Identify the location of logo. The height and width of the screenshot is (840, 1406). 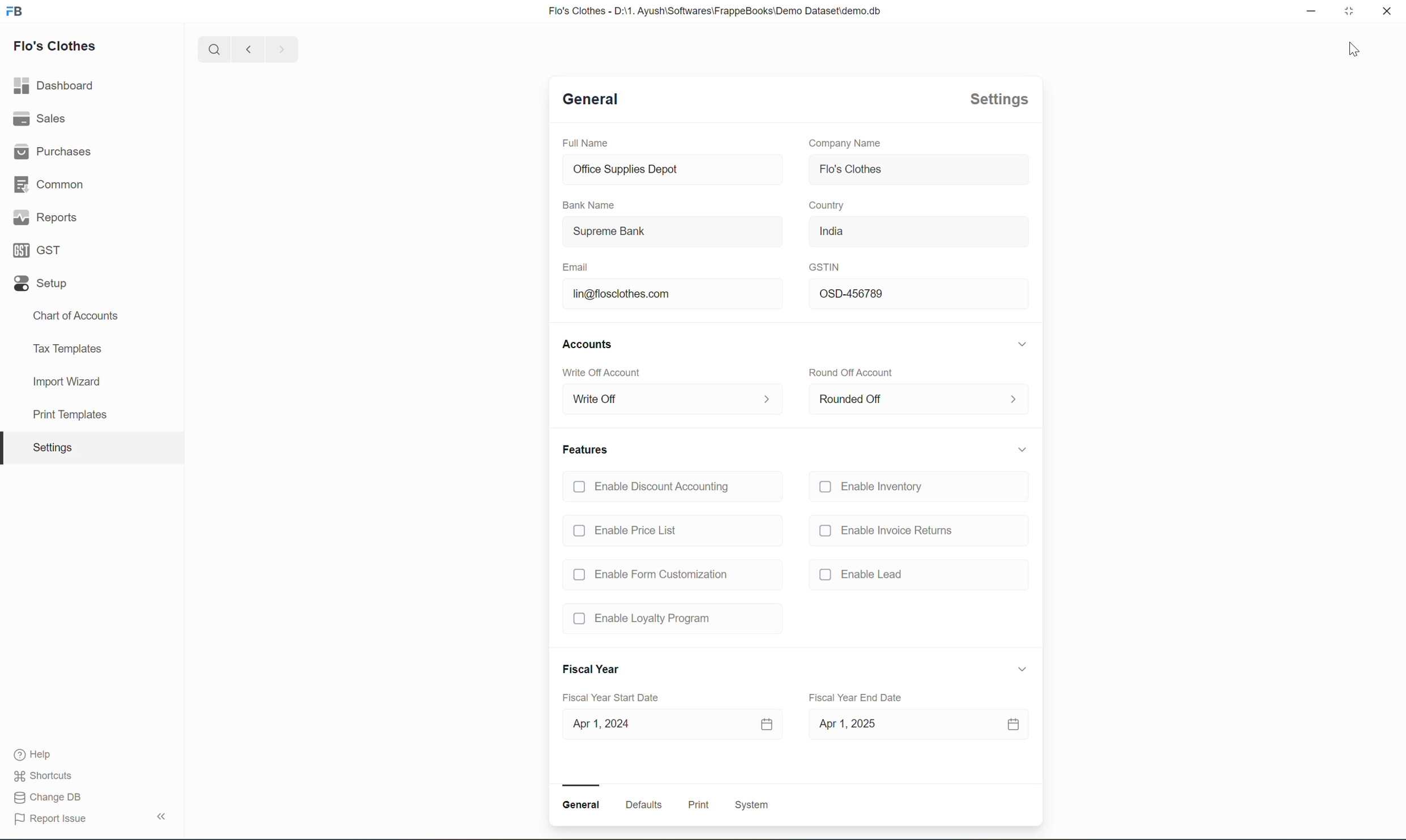
(15, 10).